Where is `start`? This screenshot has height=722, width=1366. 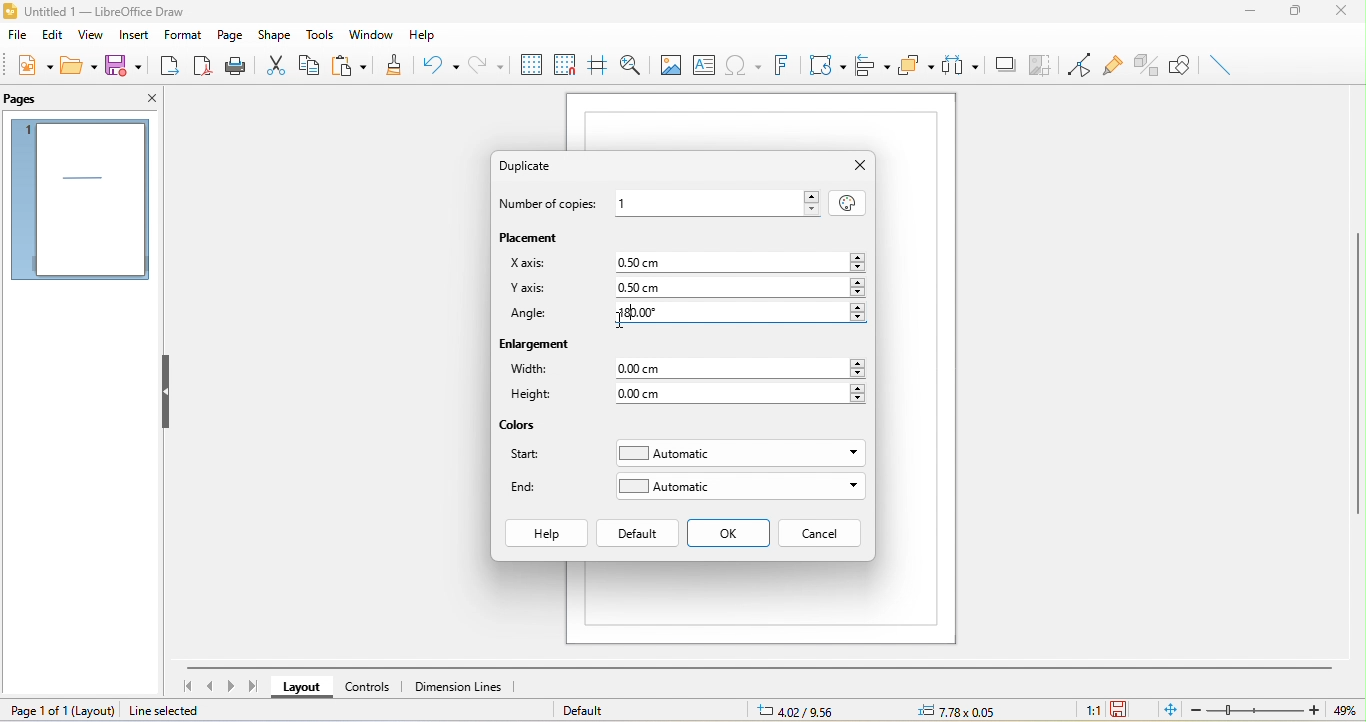 start is located at coordinates (532, 458).